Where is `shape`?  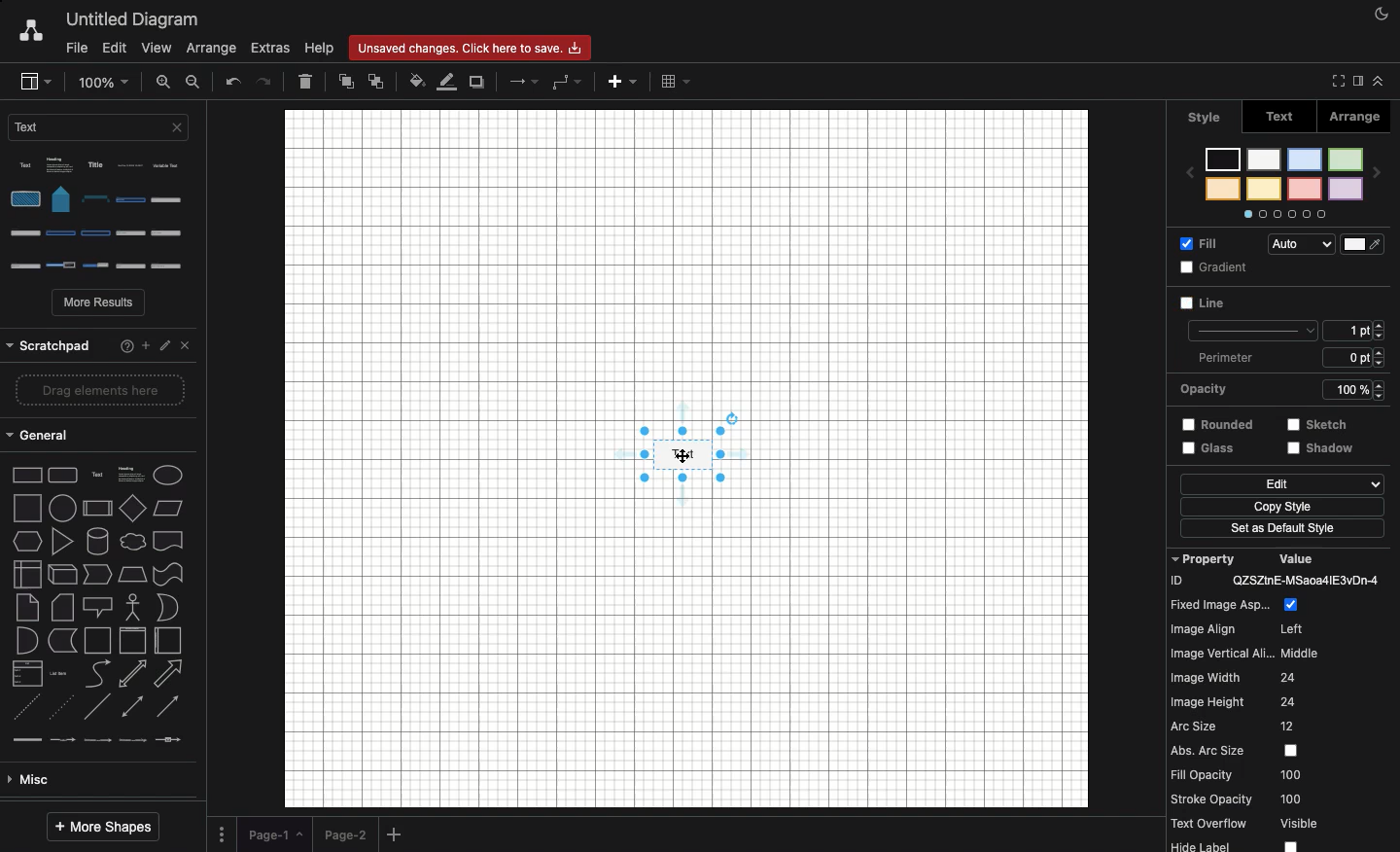 shape is located at coordinates (101, 502).